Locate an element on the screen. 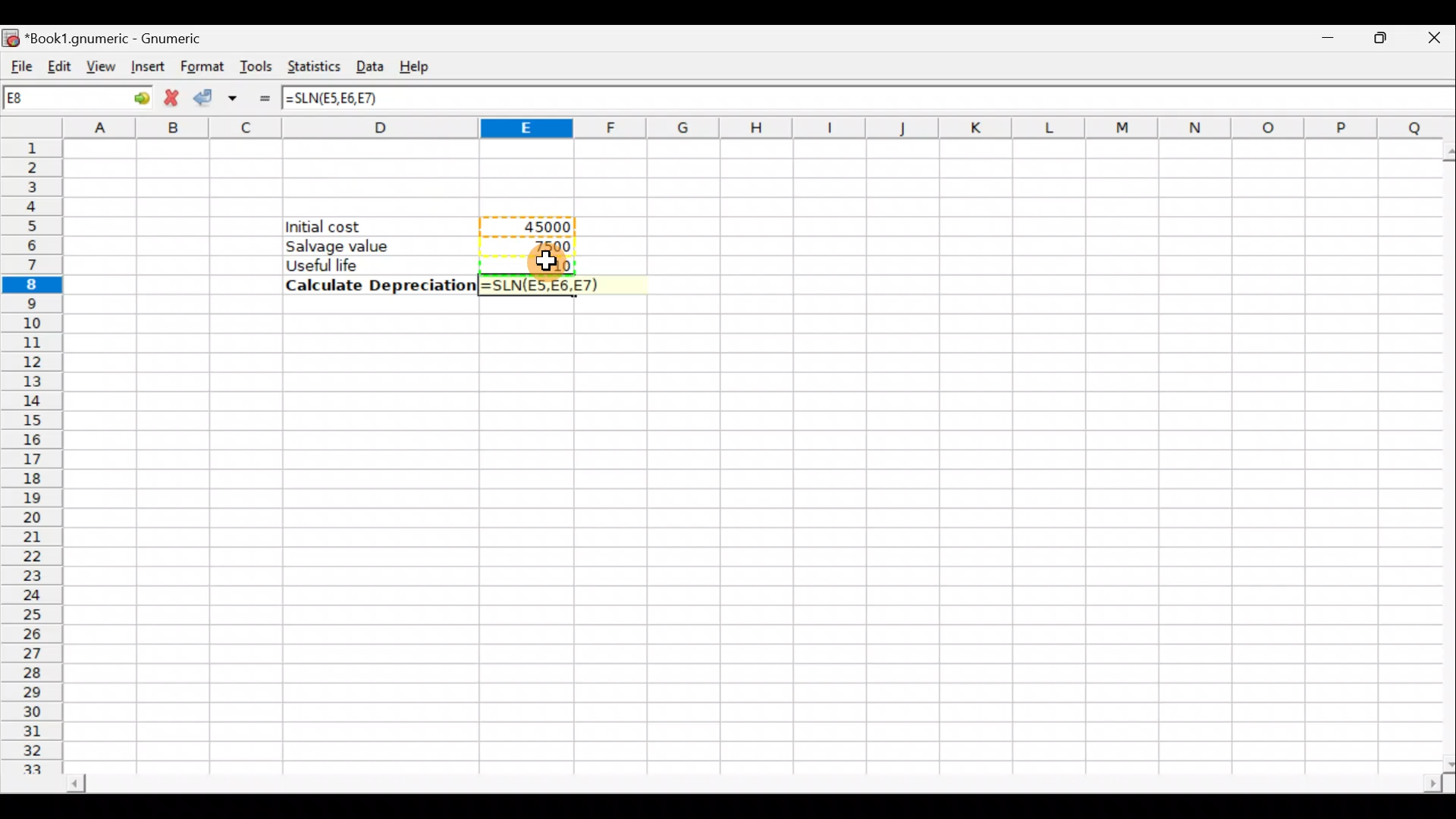 The height and width of the screenshot is (819, 1456). Data is located at coordinates (372, 64).